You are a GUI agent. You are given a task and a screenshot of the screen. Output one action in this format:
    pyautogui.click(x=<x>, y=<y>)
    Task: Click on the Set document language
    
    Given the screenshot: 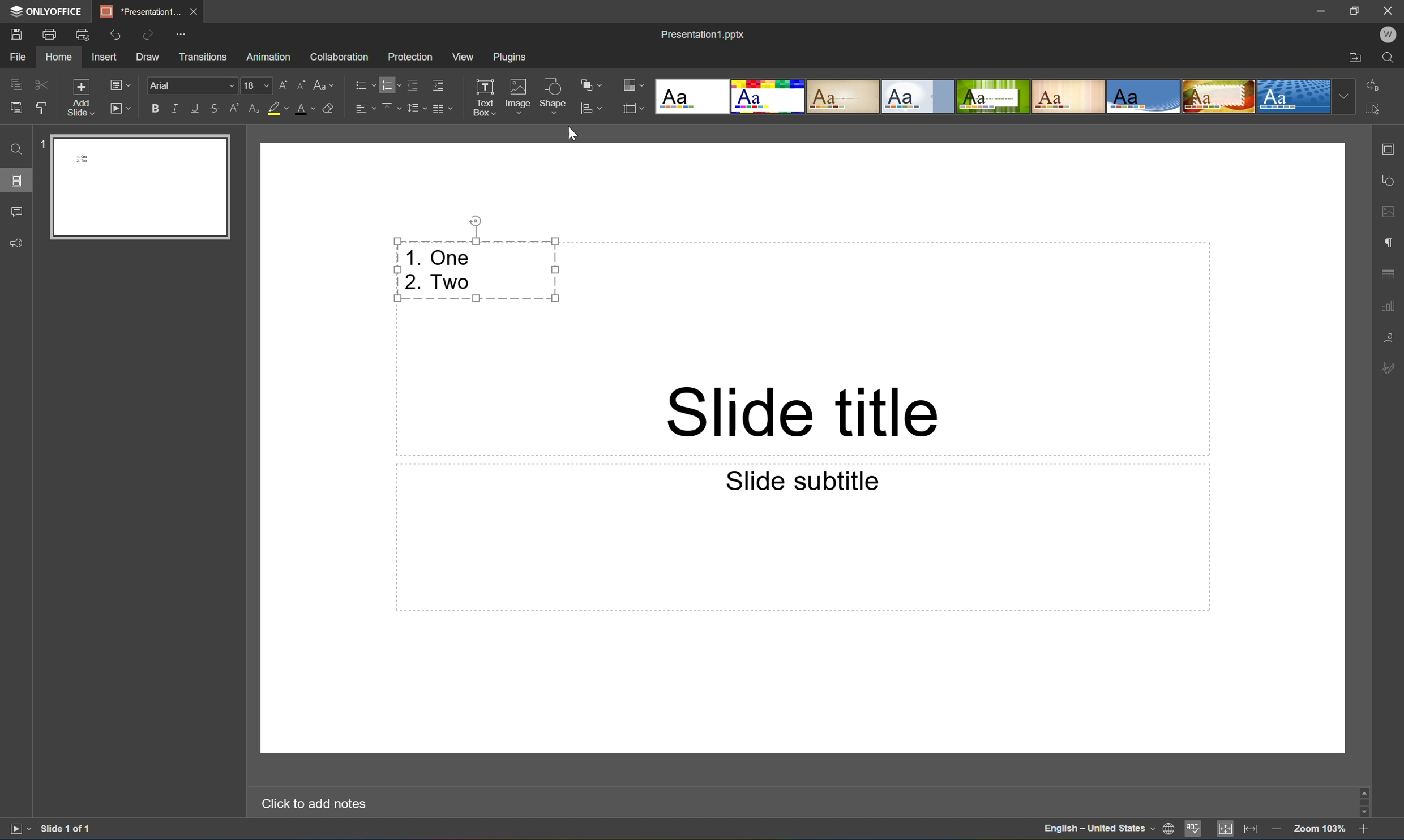 What is the action you would take?
    pyautogui.click(x=1167, y=830)
    